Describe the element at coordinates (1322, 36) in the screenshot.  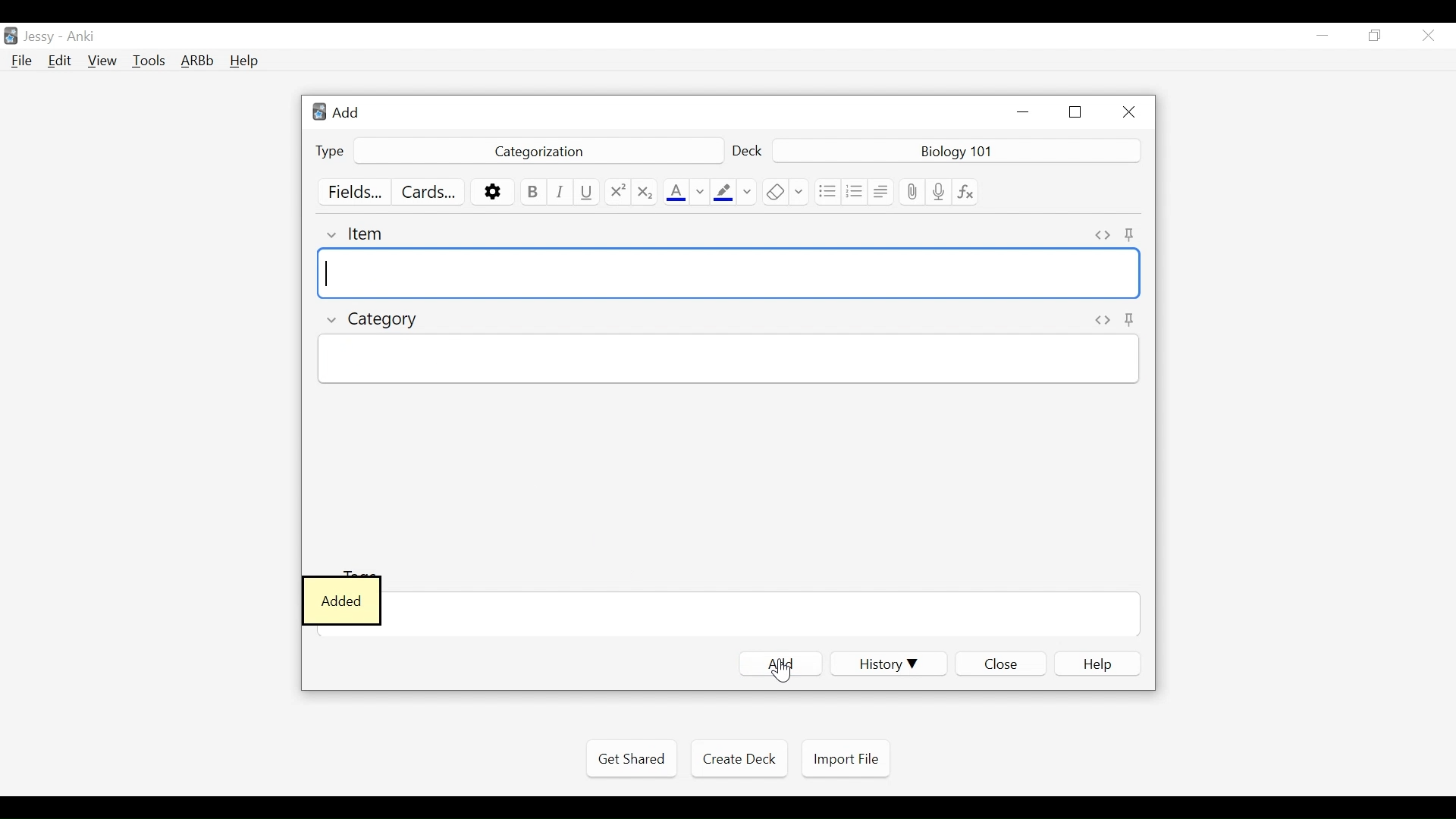
I see `minimize` at that location.